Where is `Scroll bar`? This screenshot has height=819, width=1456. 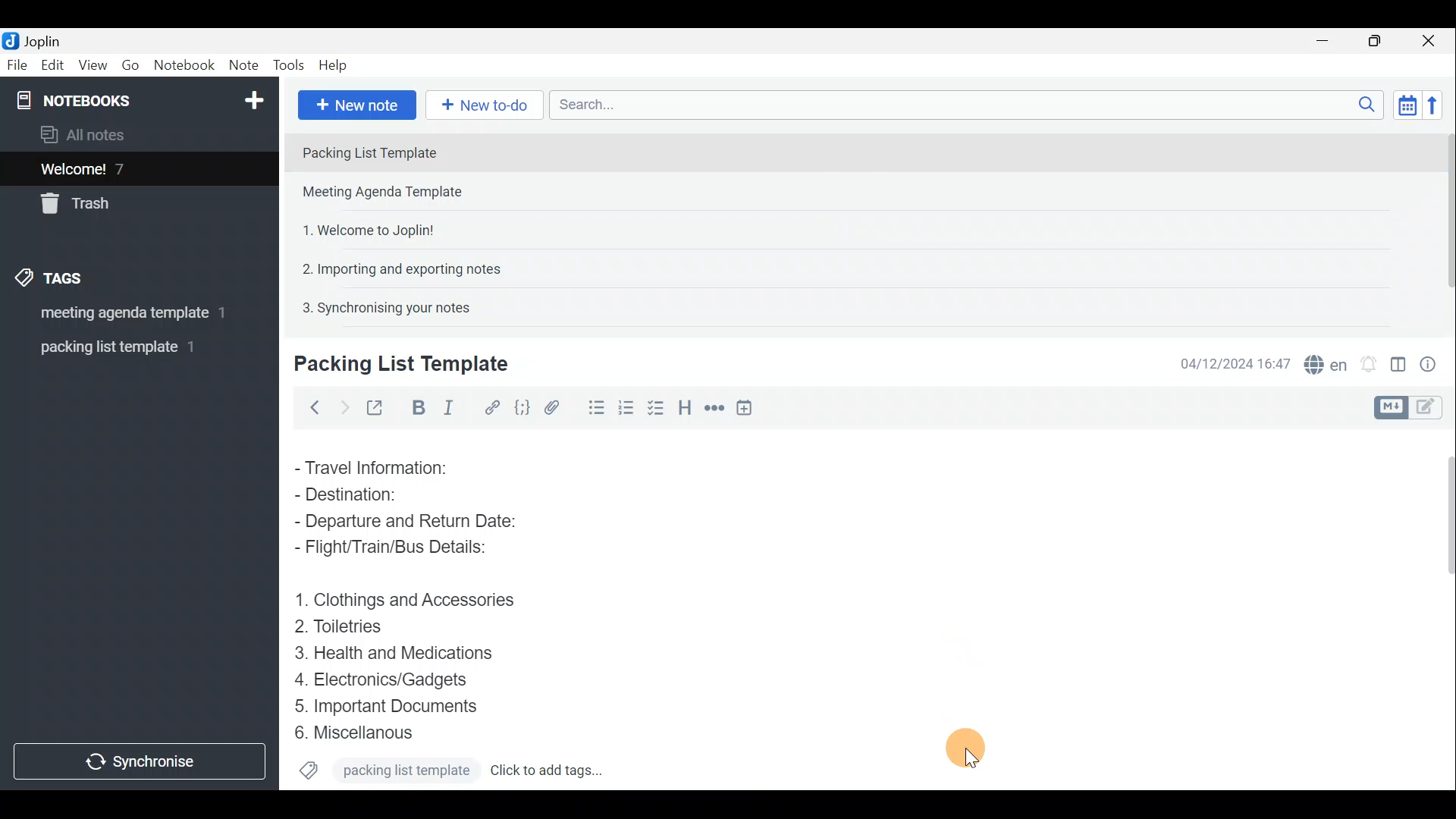
Scroll bar is located at coordinates (1442, 607).